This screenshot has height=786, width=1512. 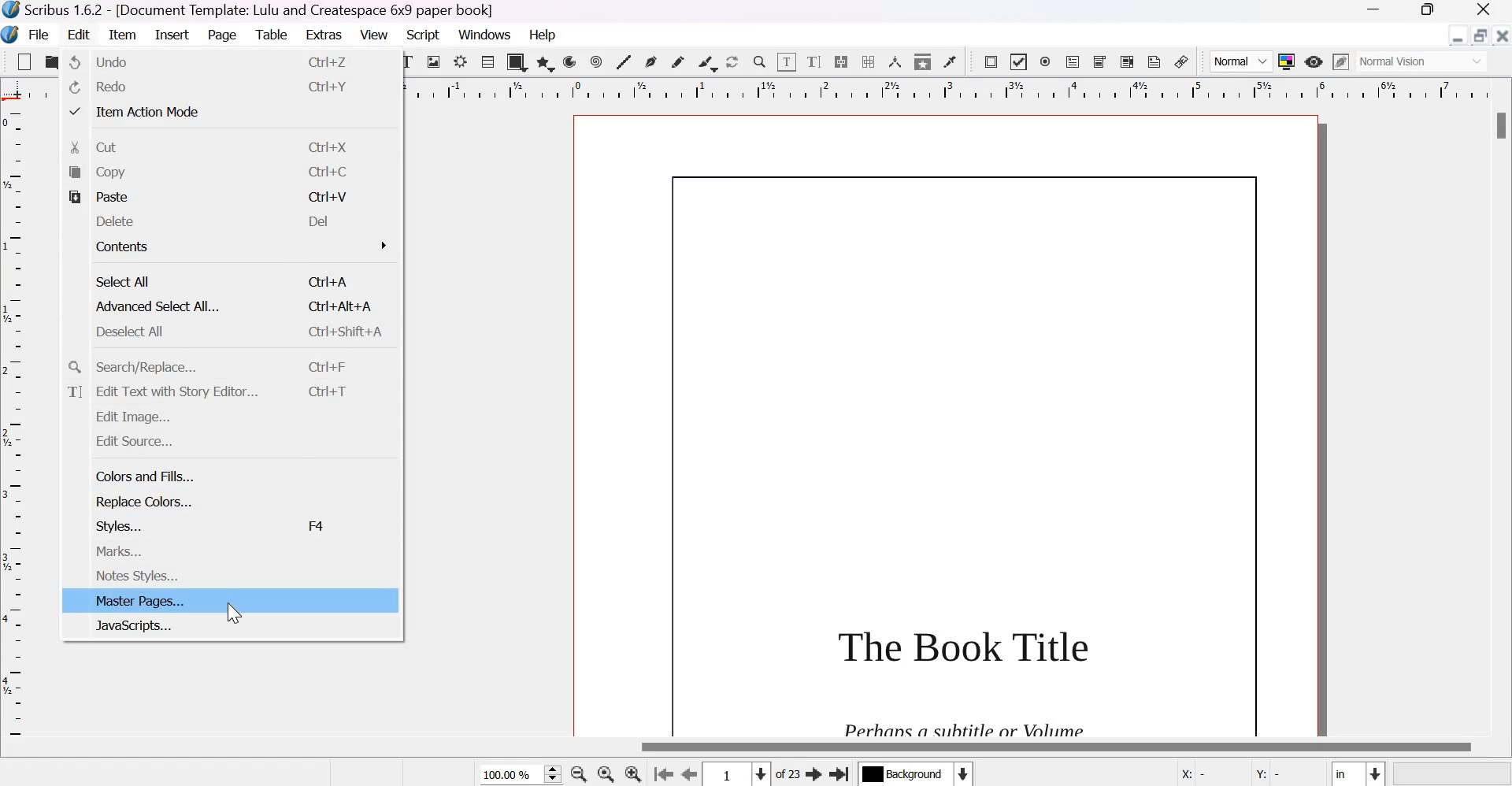 I want to click on delete, so click(x=224, y=221).